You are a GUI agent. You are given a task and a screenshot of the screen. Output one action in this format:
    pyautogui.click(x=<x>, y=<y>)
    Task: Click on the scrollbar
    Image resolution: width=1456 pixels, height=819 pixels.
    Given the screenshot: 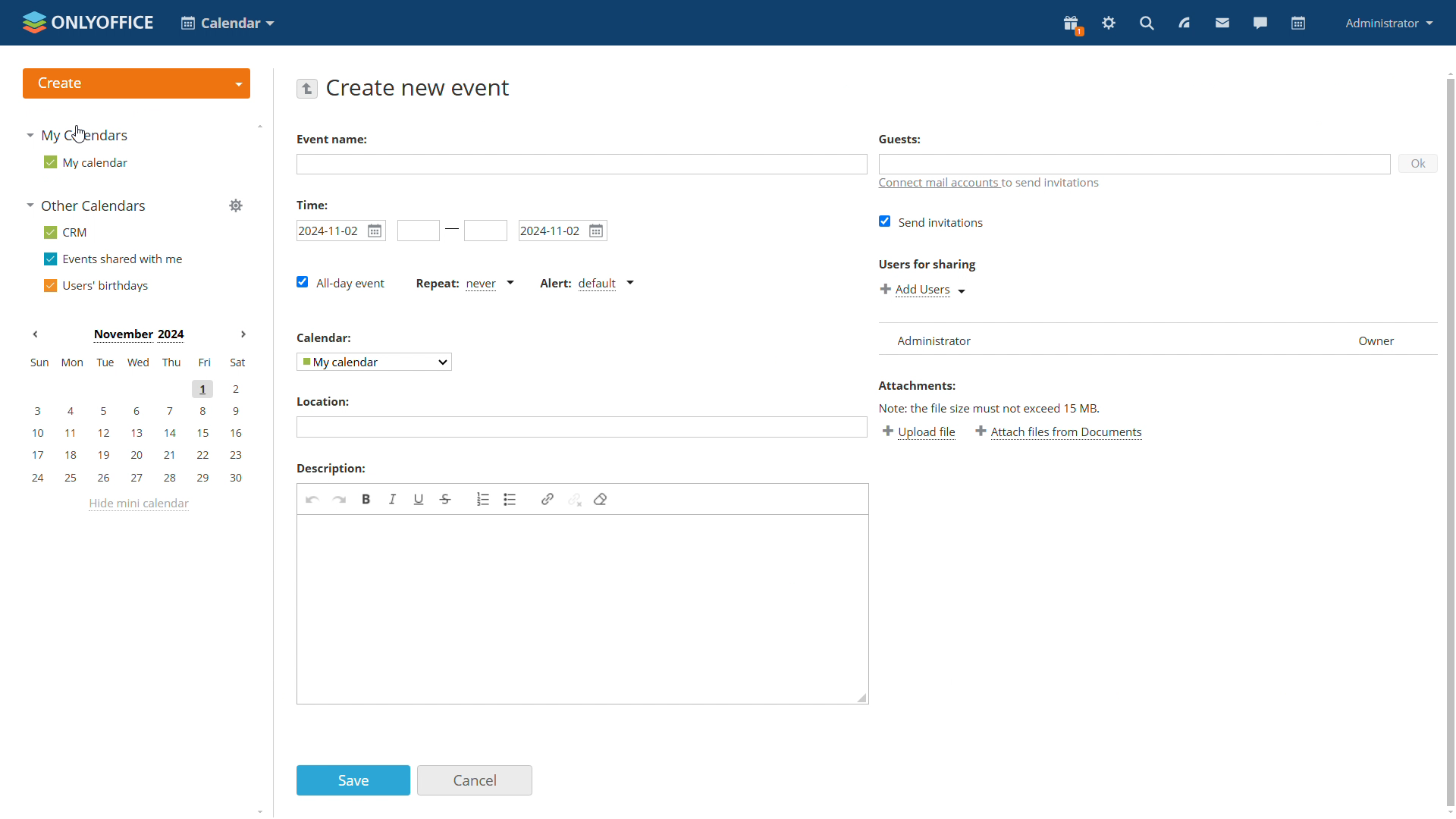 What is the action you would take?
    pyautogui.click(x=1451, y=443)
    